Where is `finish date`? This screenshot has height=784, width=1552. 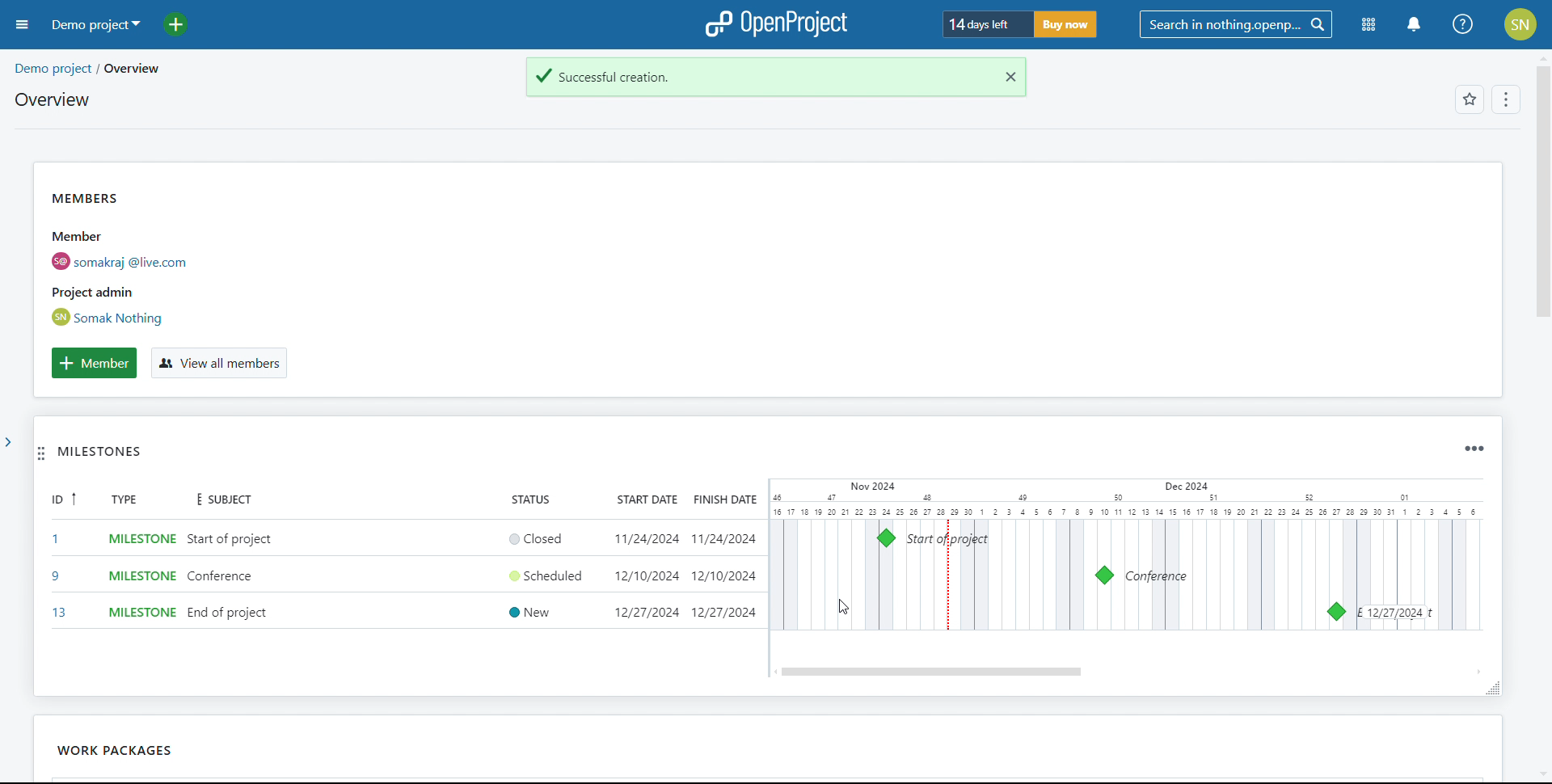
finish date is located at coordinates (721, 499).